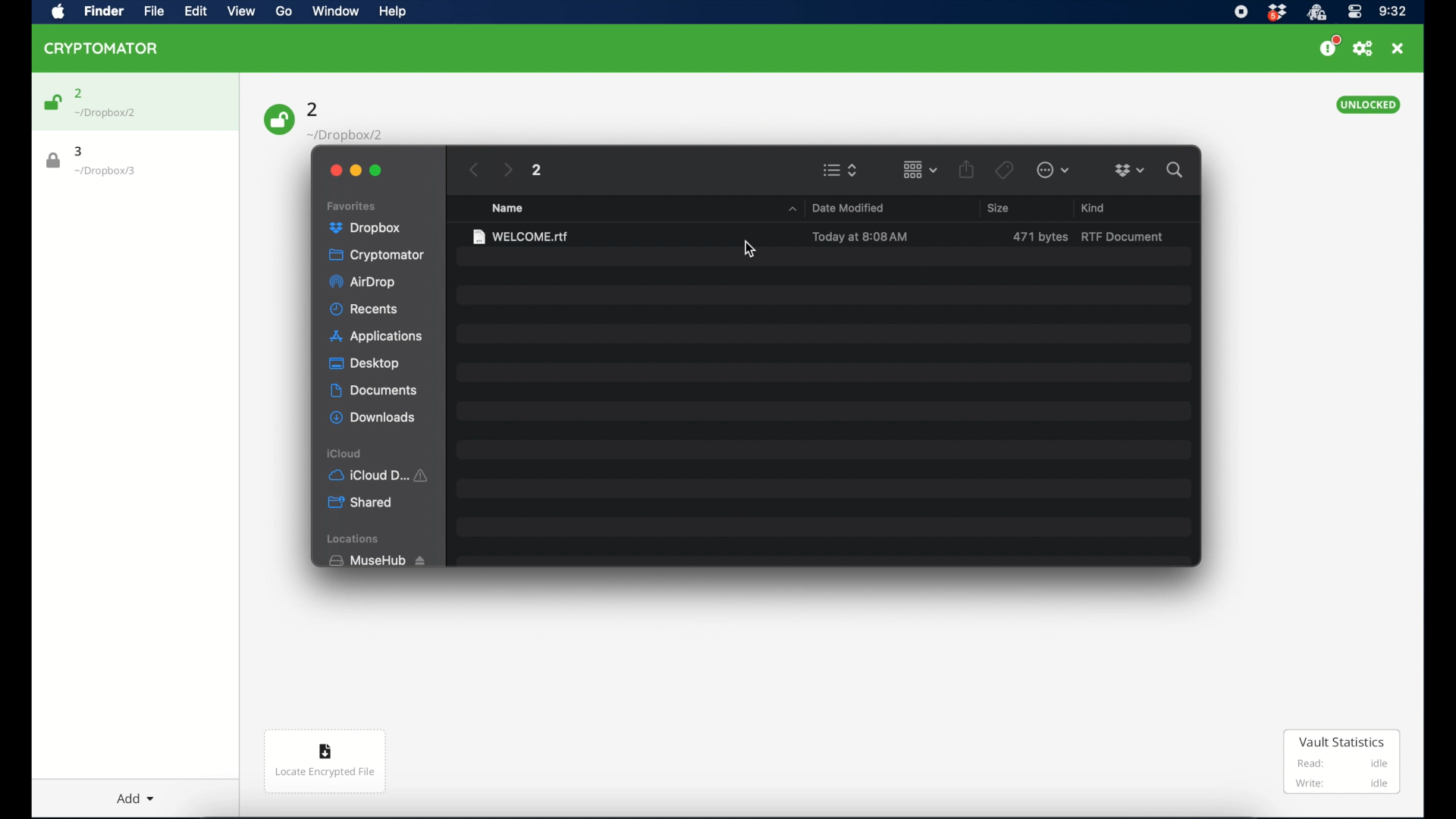 Image resolution: width=1456 pixels, height=819 pixels. I want to click on rtf document, so click(1123, 237).